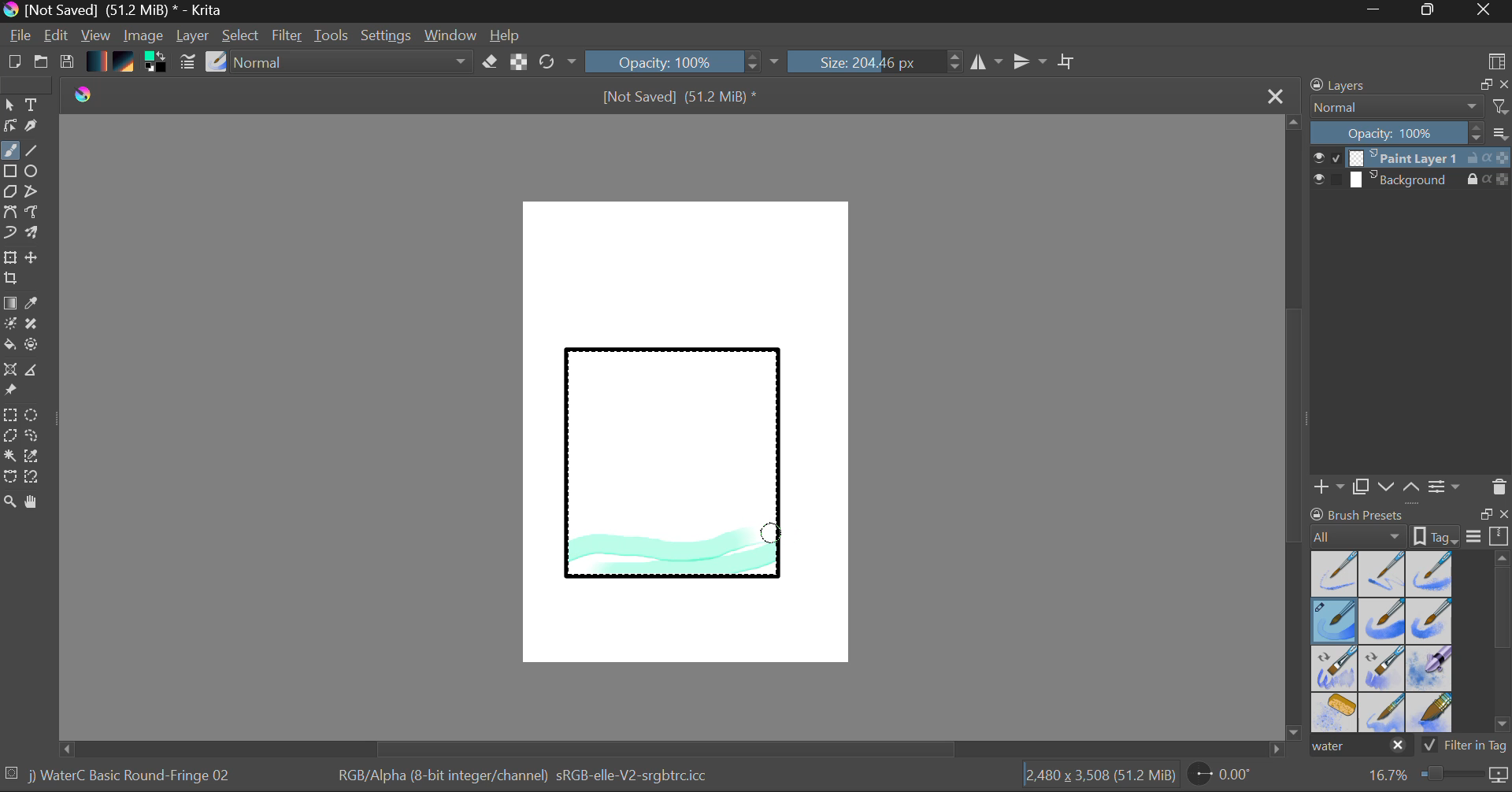 The image size is (1512, 792). Describe the element at coordinates (1362, 487) in the screenshot. I see `Copy Layer` at that location.